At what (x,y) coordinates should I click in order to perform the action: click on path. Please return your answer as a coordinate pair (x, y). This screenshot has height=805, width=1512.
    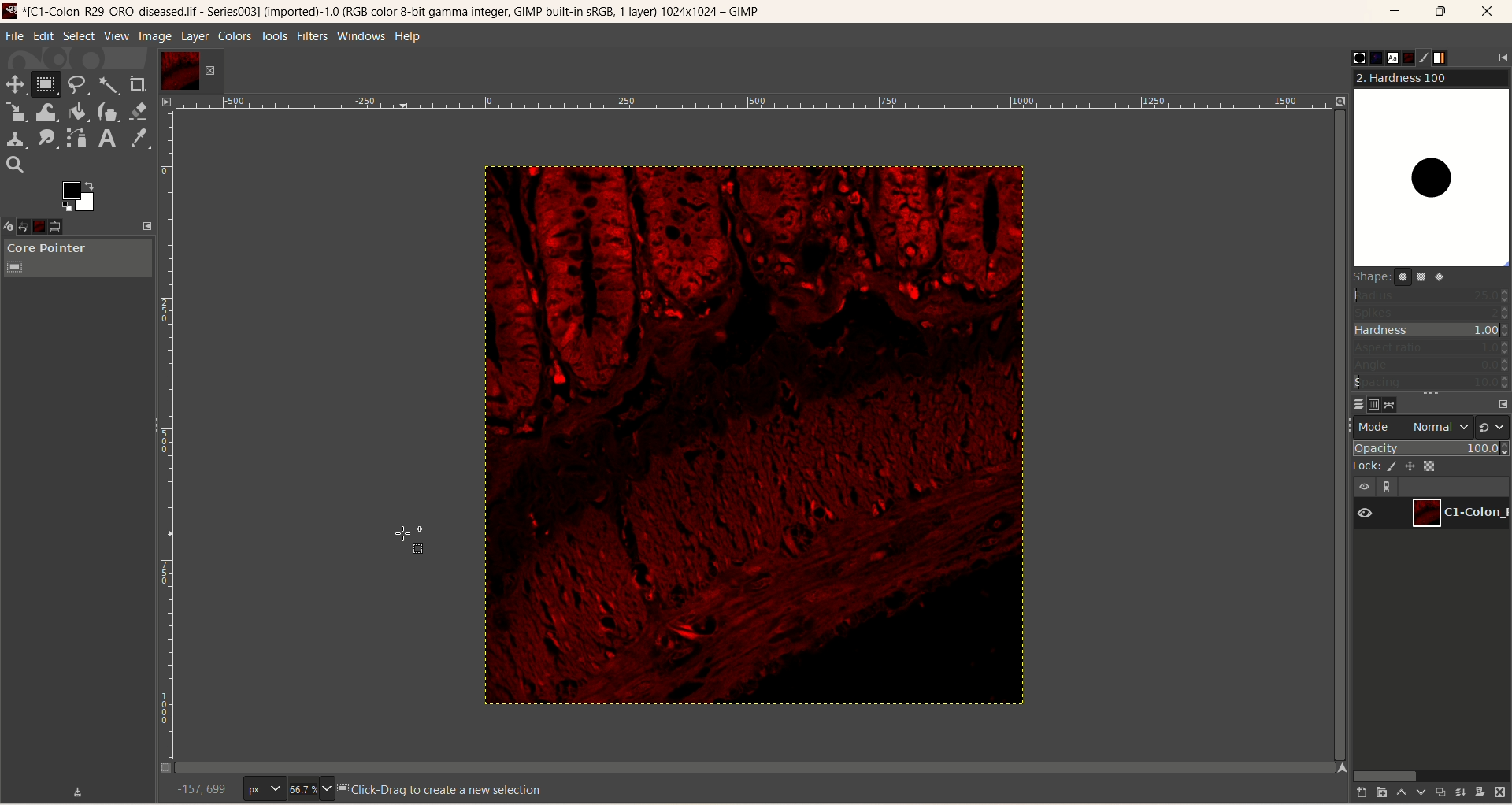
    Looking at the image, I should click on (1393, 404).